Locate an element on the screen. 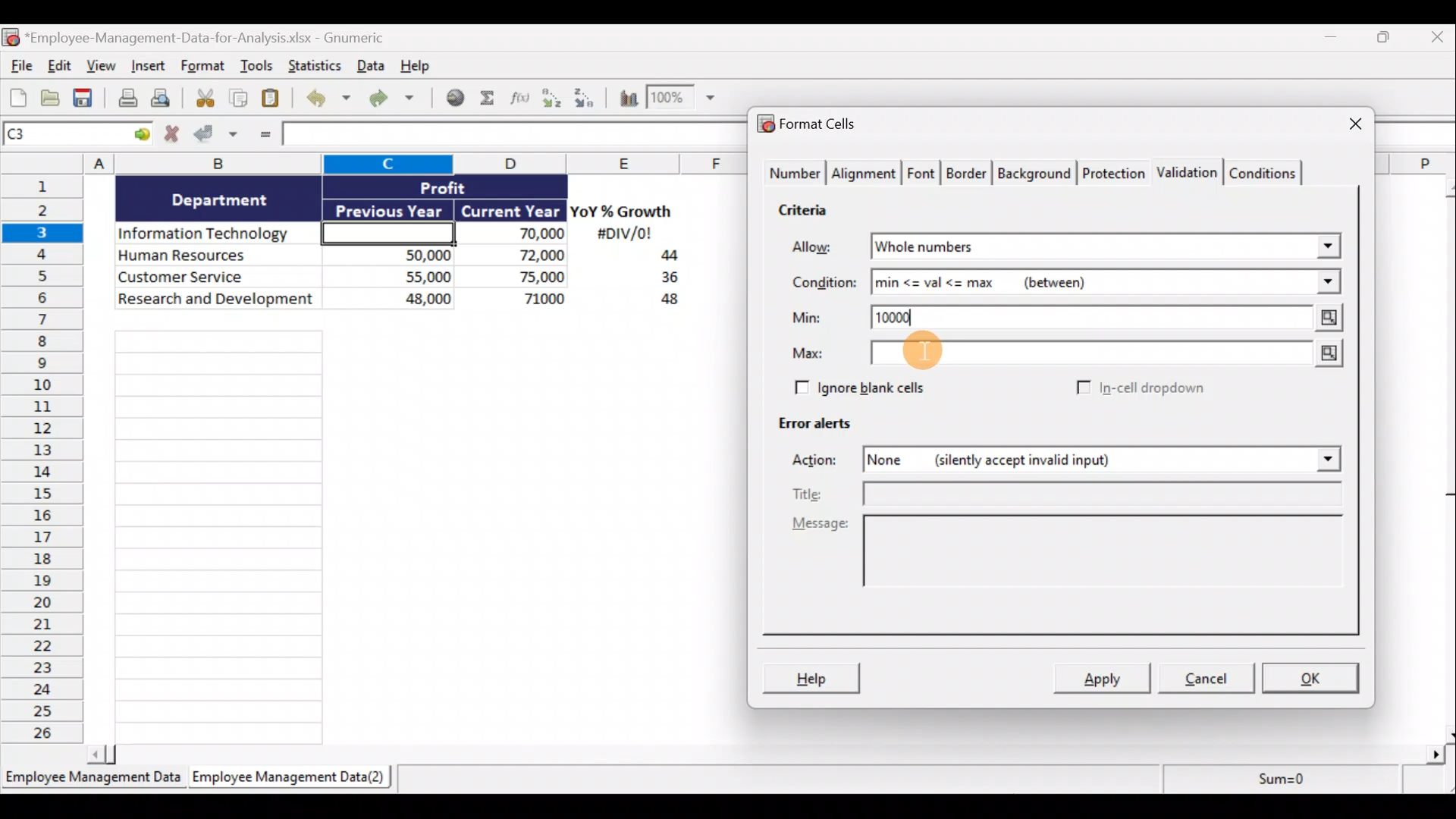  55,000 is located at coordinates (397, 276).